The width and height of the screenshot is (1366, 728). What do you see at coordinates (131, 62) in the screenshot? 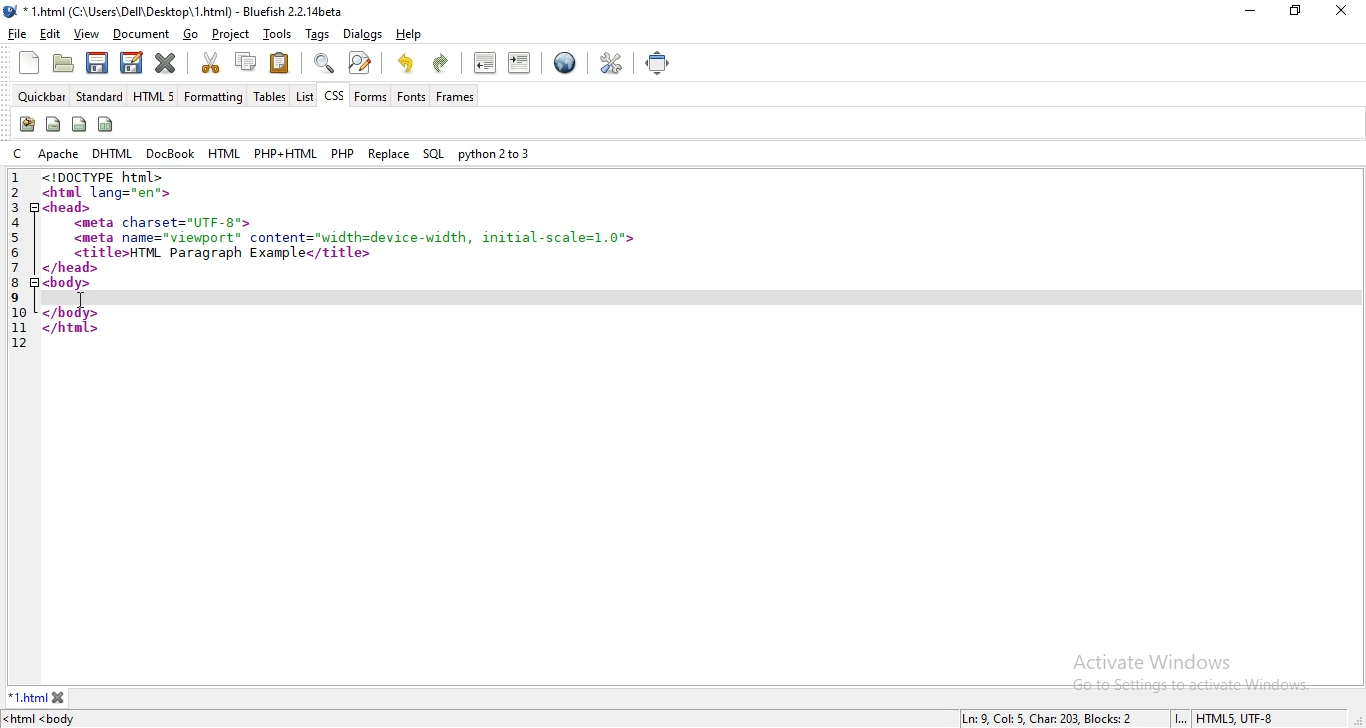
I see `save file as` at bounding box center [131, 62].